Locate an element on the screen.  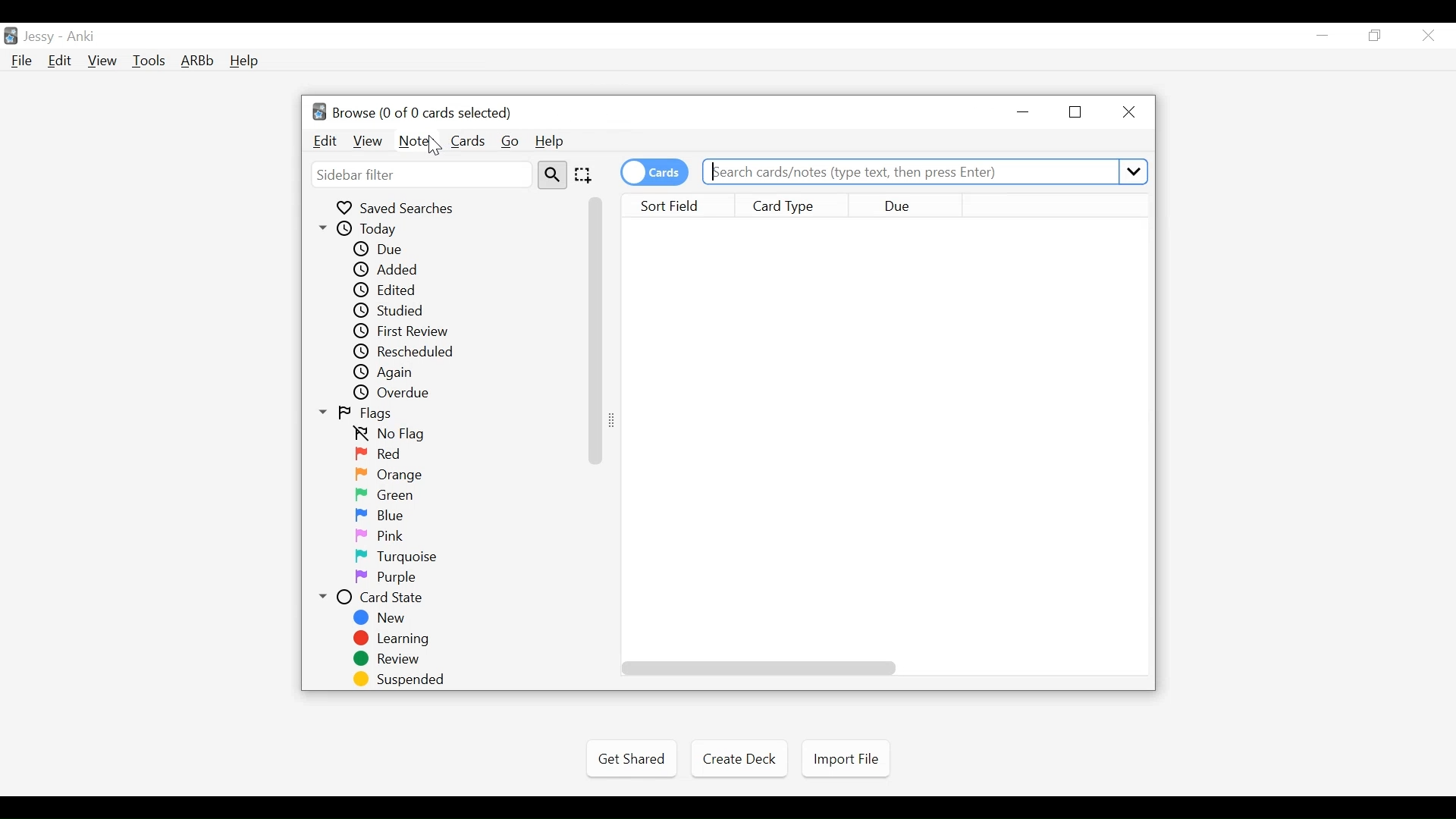
Search Cards/notes is located at coordinates (927, 172).